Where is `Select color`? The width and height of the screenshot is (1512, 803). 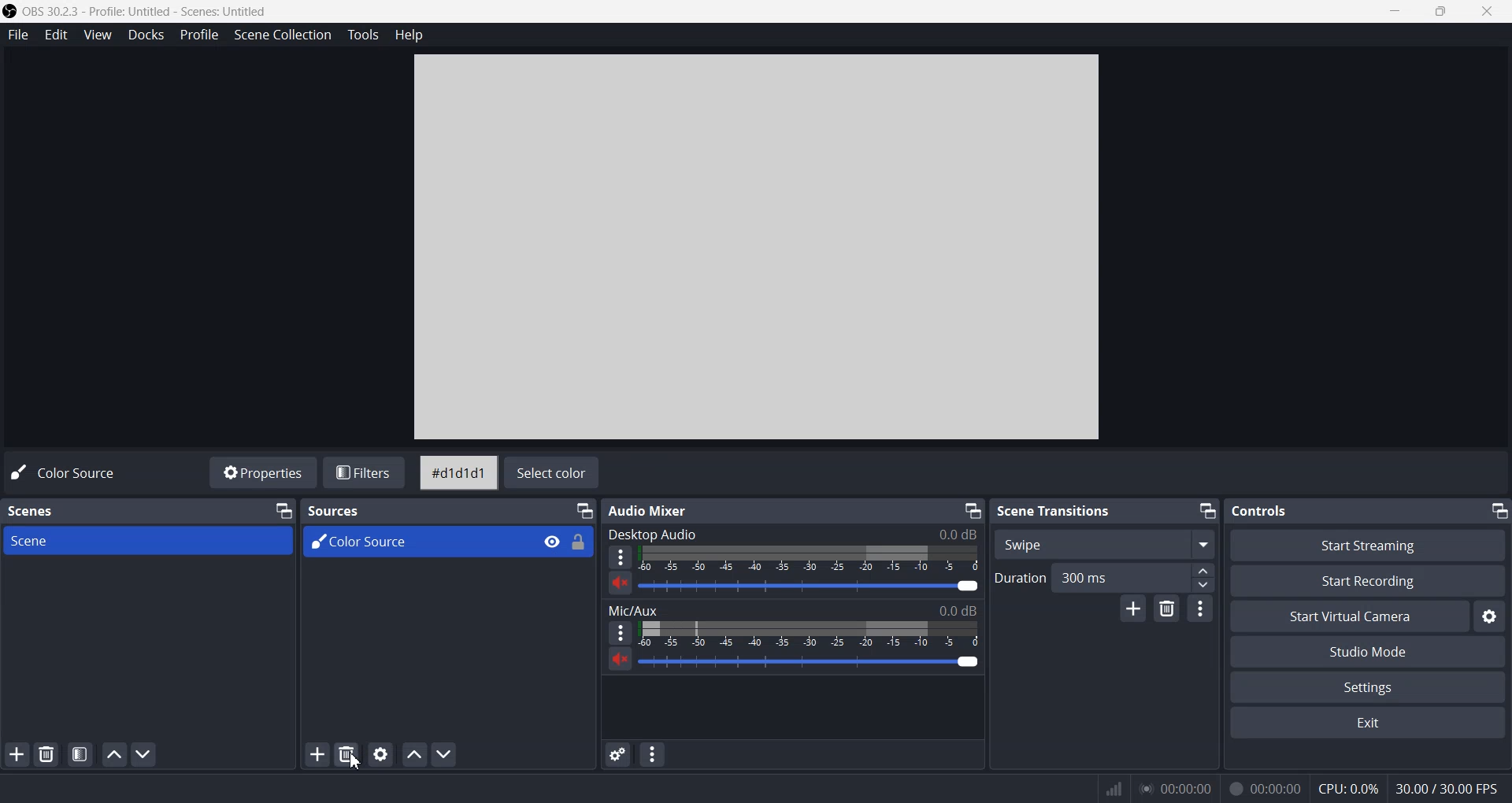 Select color is located at coordinates (554, 473).